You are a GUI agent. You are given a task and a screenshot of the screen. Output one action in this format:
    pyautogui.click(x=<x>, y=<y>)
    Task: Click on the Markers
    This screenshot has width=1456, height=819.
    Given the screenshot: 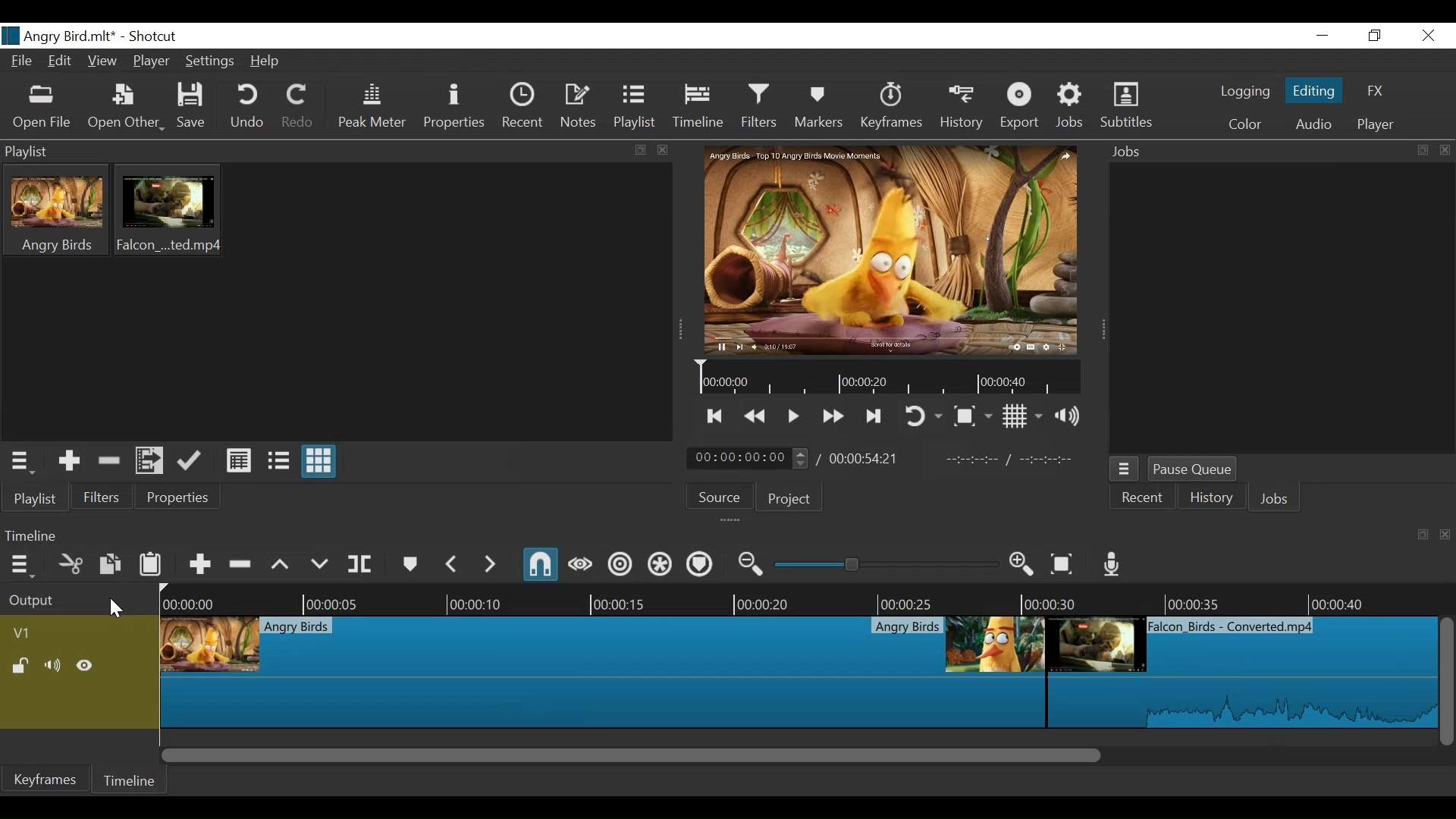 What is the action you would take?
    pyautogui.click(x=818, y=107)
    